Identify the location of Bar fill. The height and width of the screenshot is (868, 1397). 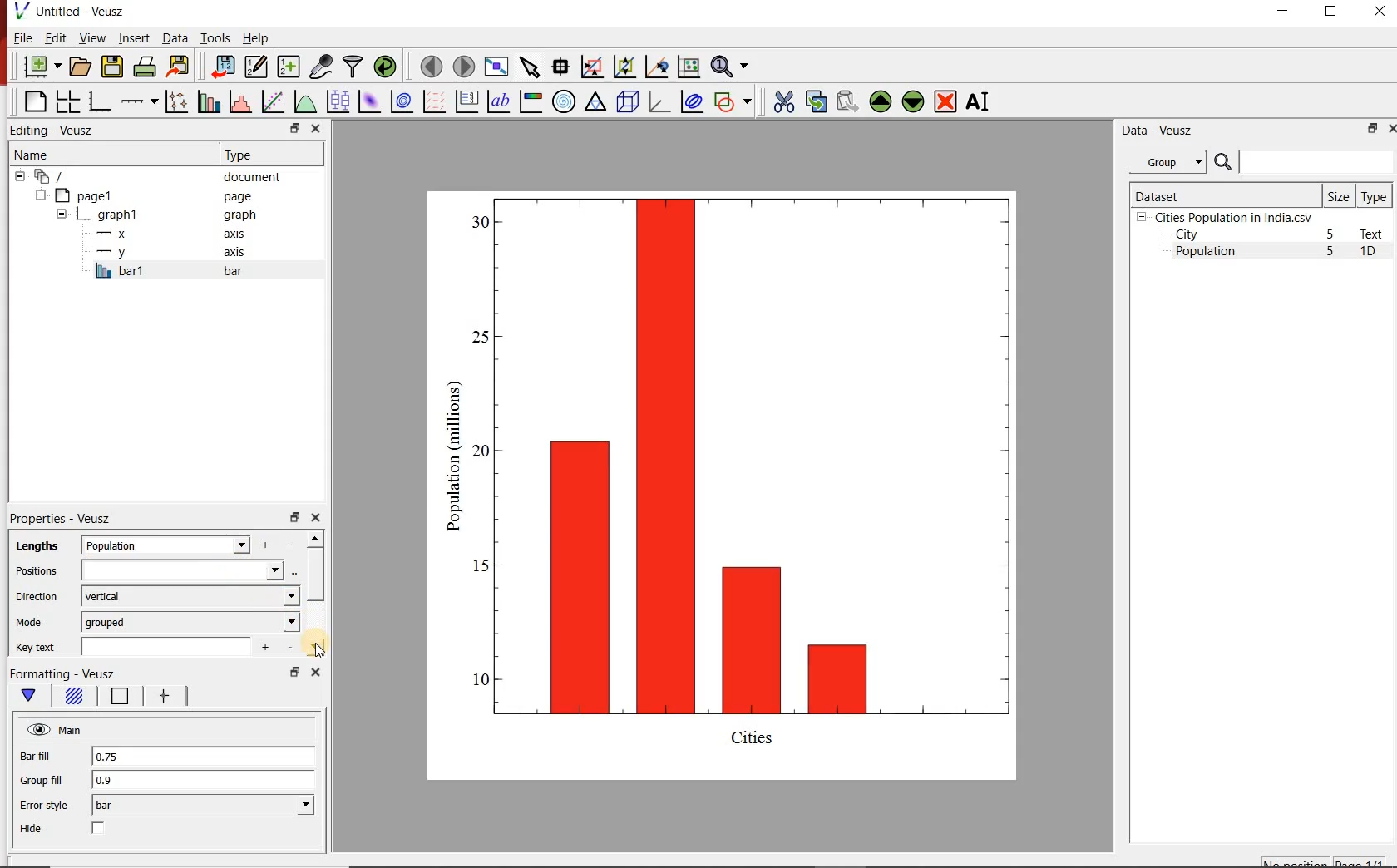
(47, 757).